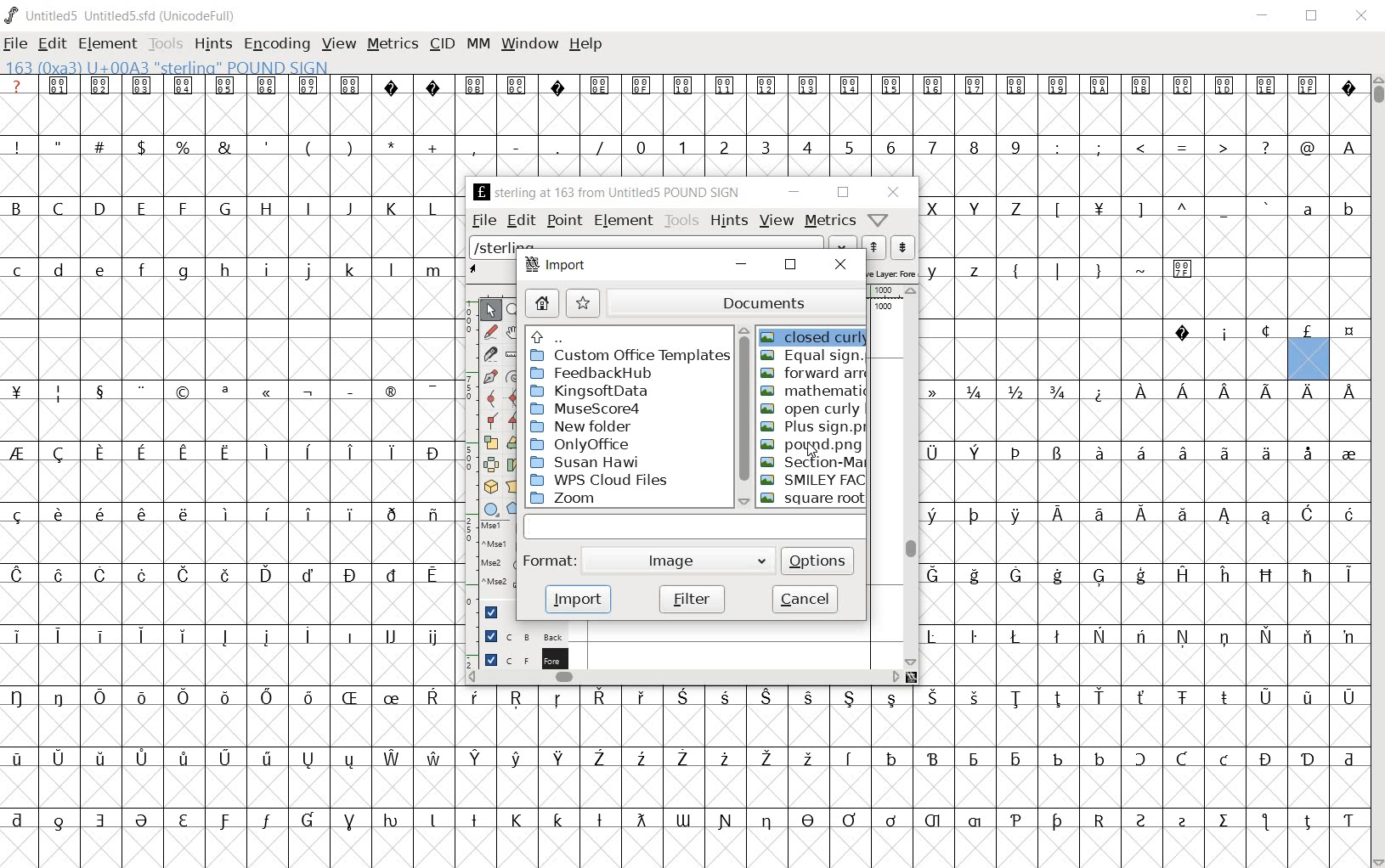 The width and height of the screenshot is (1385, 868). I want to click on cursor, so click(811, 451).